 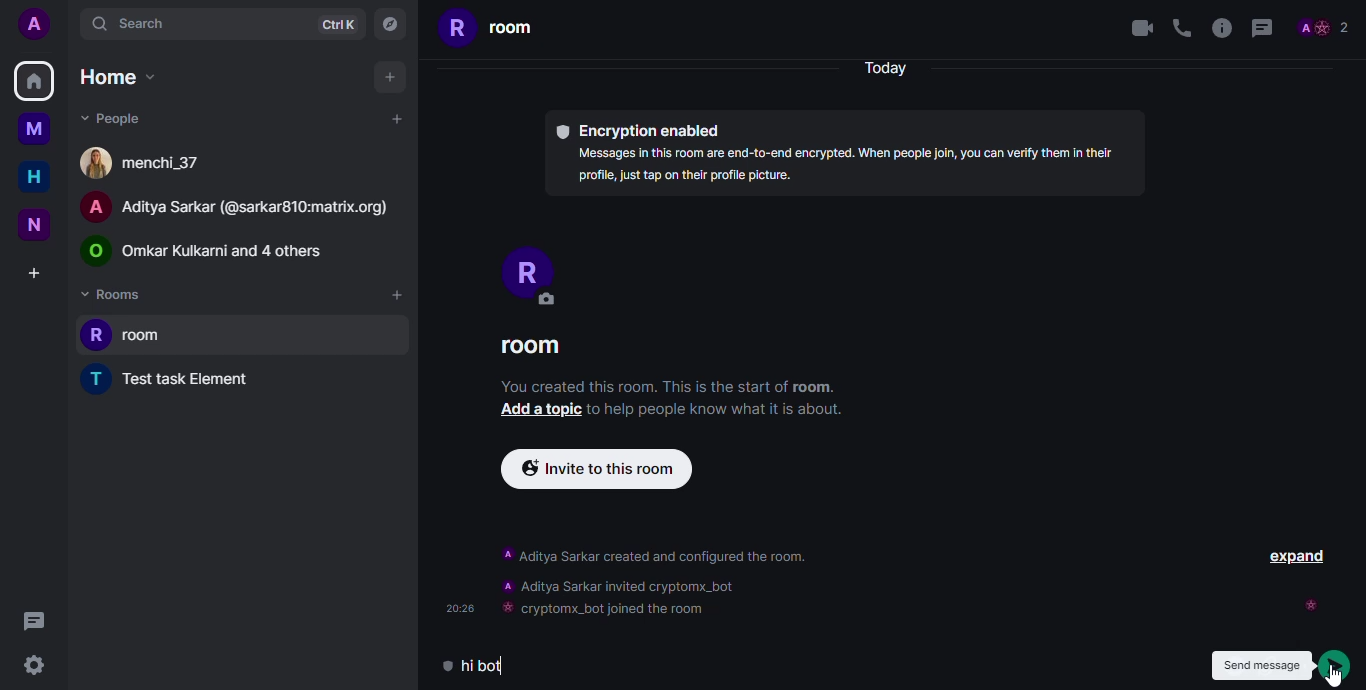 What do you see at coordinates (131, 23) in the screenshot?
I see `search` at bounding box center [131, 23].